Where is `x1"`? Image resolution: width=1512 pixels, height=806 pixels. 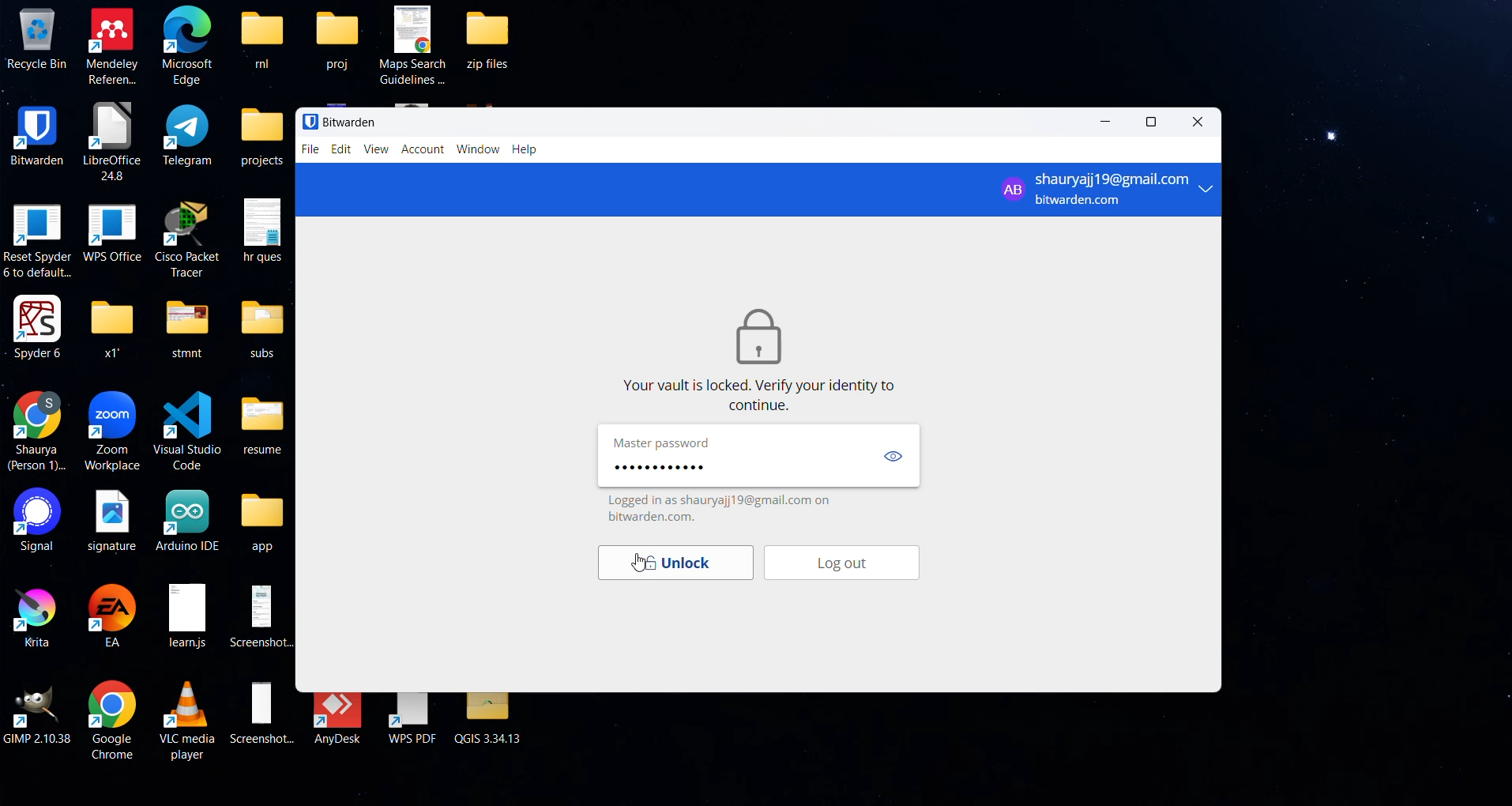
x1" is located at coordinates (110, 326).